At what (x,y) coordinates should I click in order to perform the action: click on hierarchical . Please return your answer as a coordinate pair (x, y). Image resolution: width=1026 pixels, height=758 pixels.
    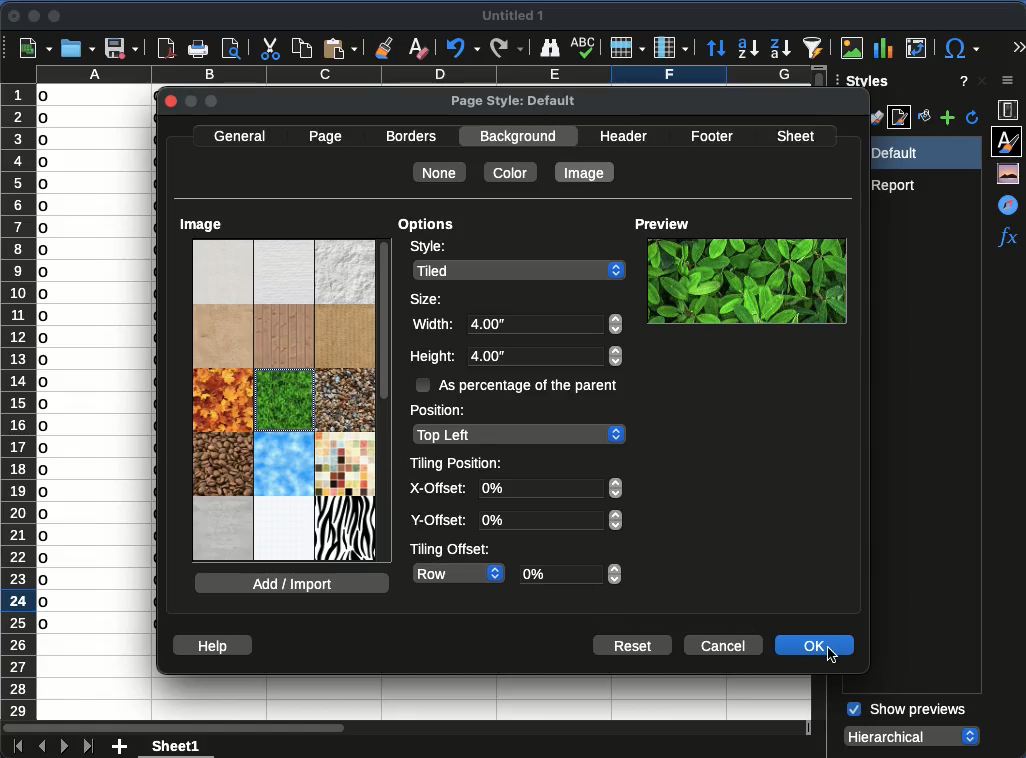
    Looking at the image, I should click on (914, 735).